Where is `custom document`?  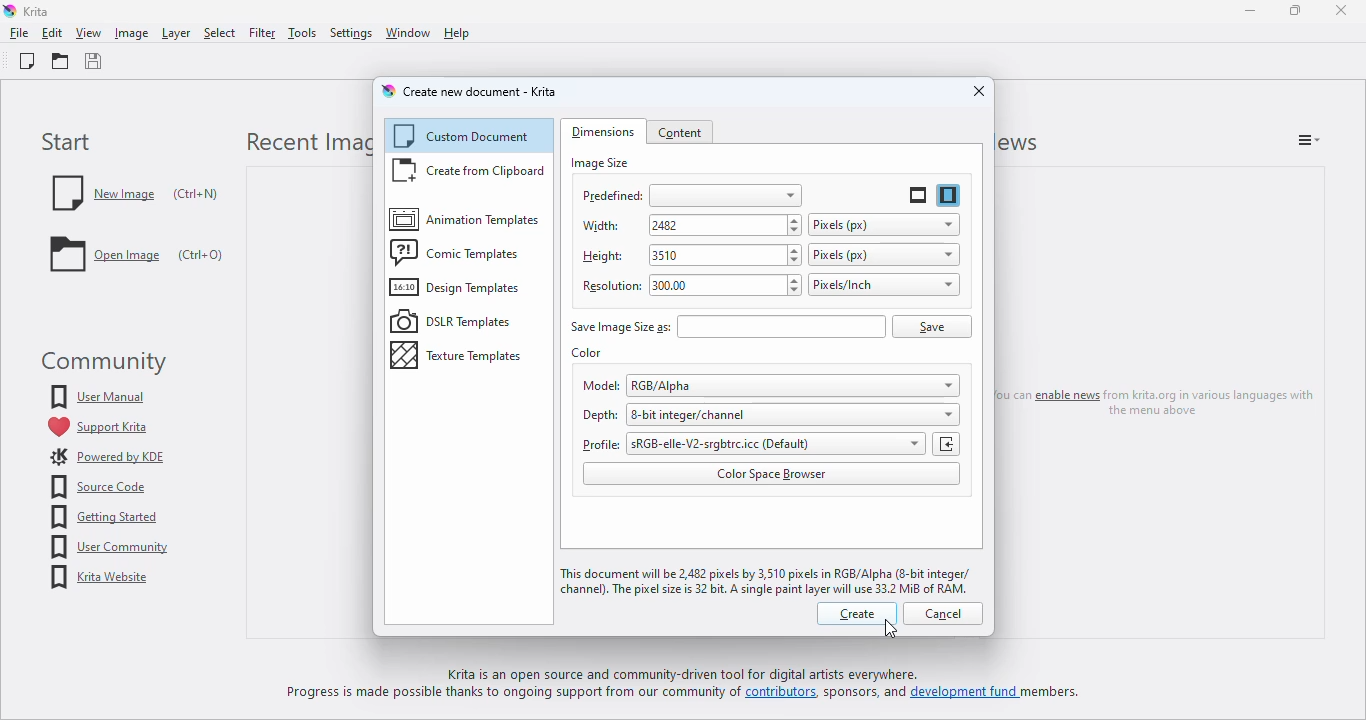
custom document is located at coordinates (465, 136).